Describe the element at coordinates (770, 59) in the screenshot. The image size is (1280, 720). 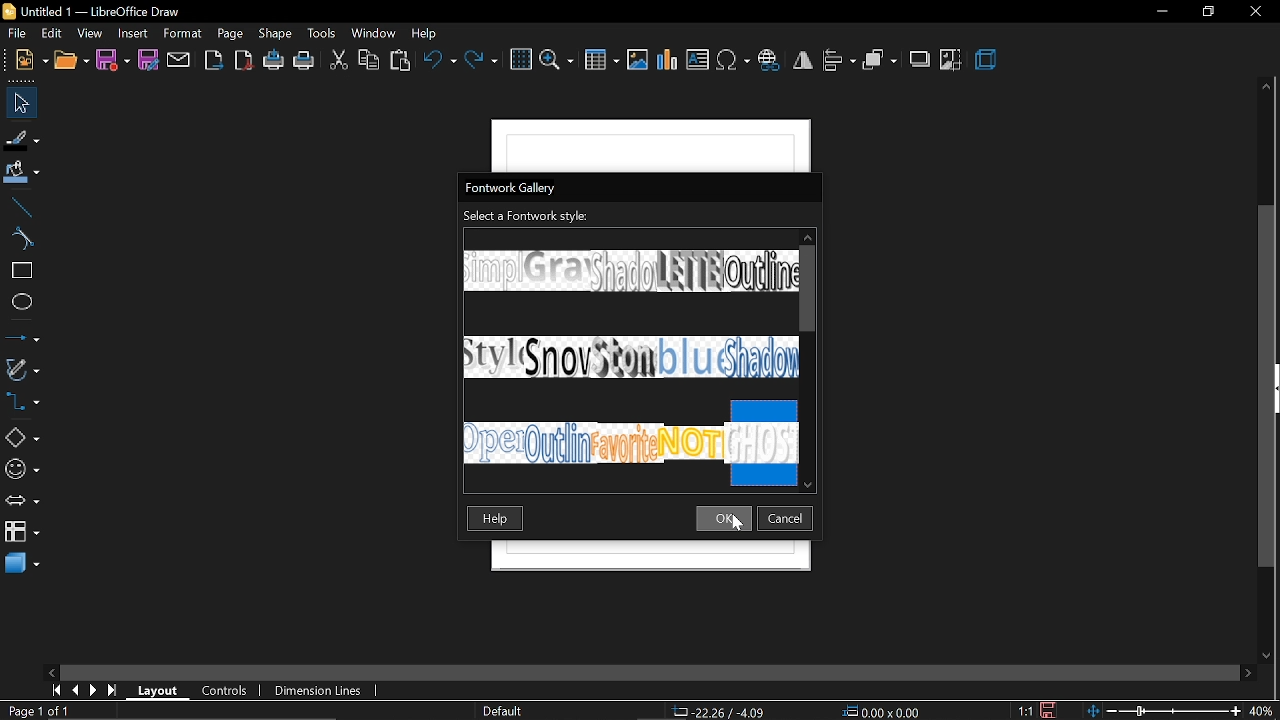
I see `insert hyperlink` at that location.